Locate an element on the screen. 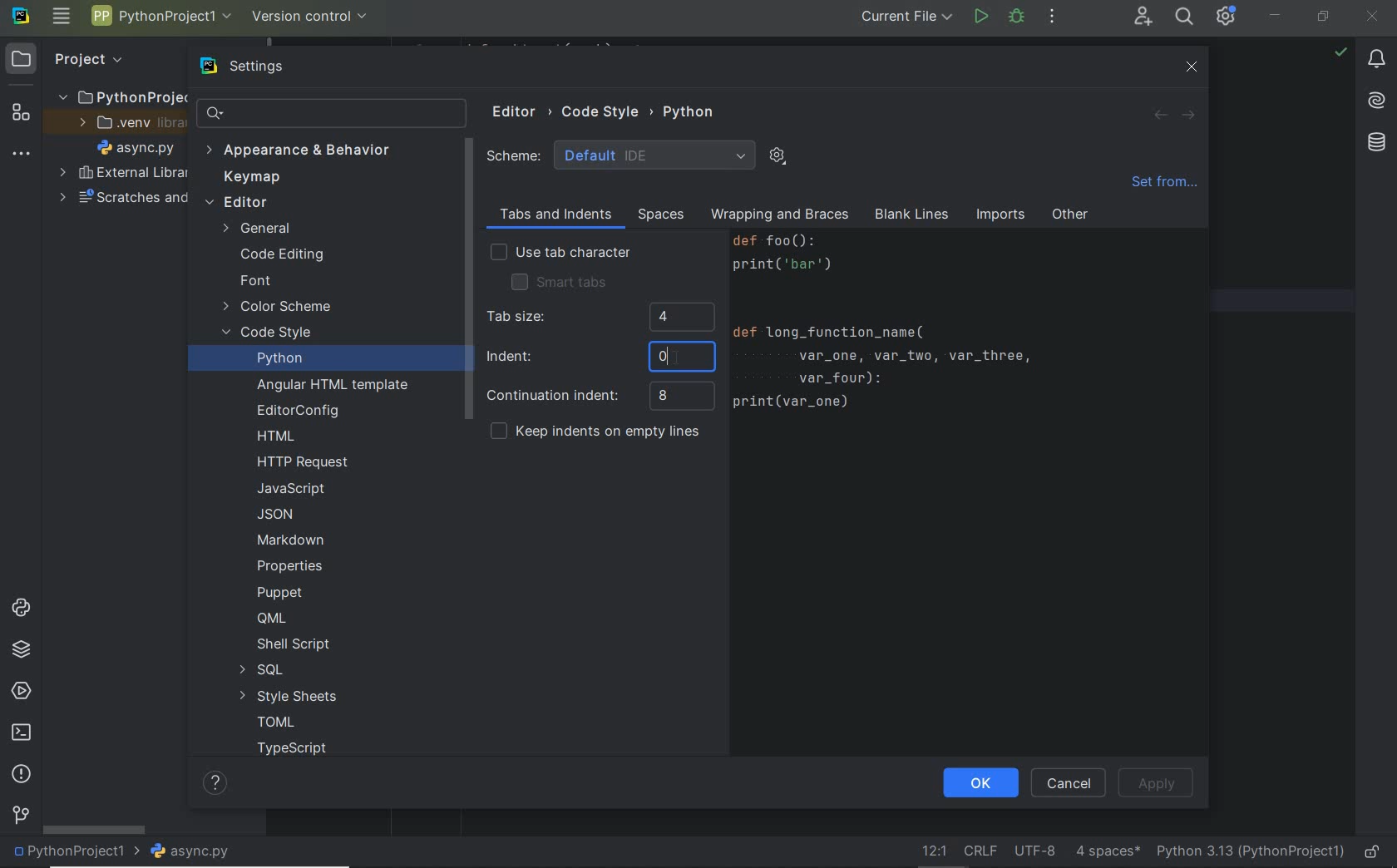 The height and width of the screenshot is (868, 1397). forward is located at coordinates (1186, 116).